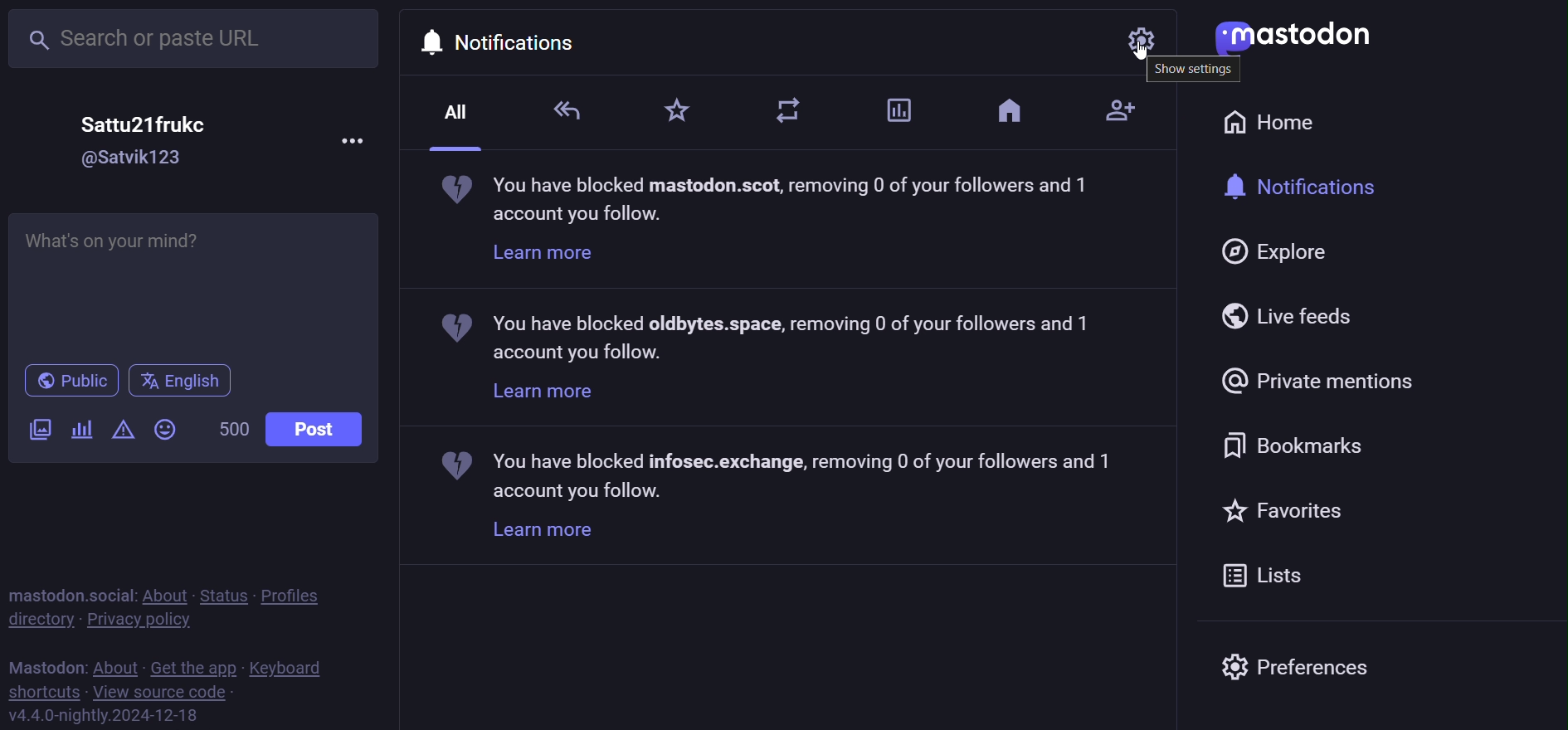 The width and height of the screenshot is (1568, 730). Describe the element at coordinates (1313, 187) in the screenshot. I see `notification` at that location.